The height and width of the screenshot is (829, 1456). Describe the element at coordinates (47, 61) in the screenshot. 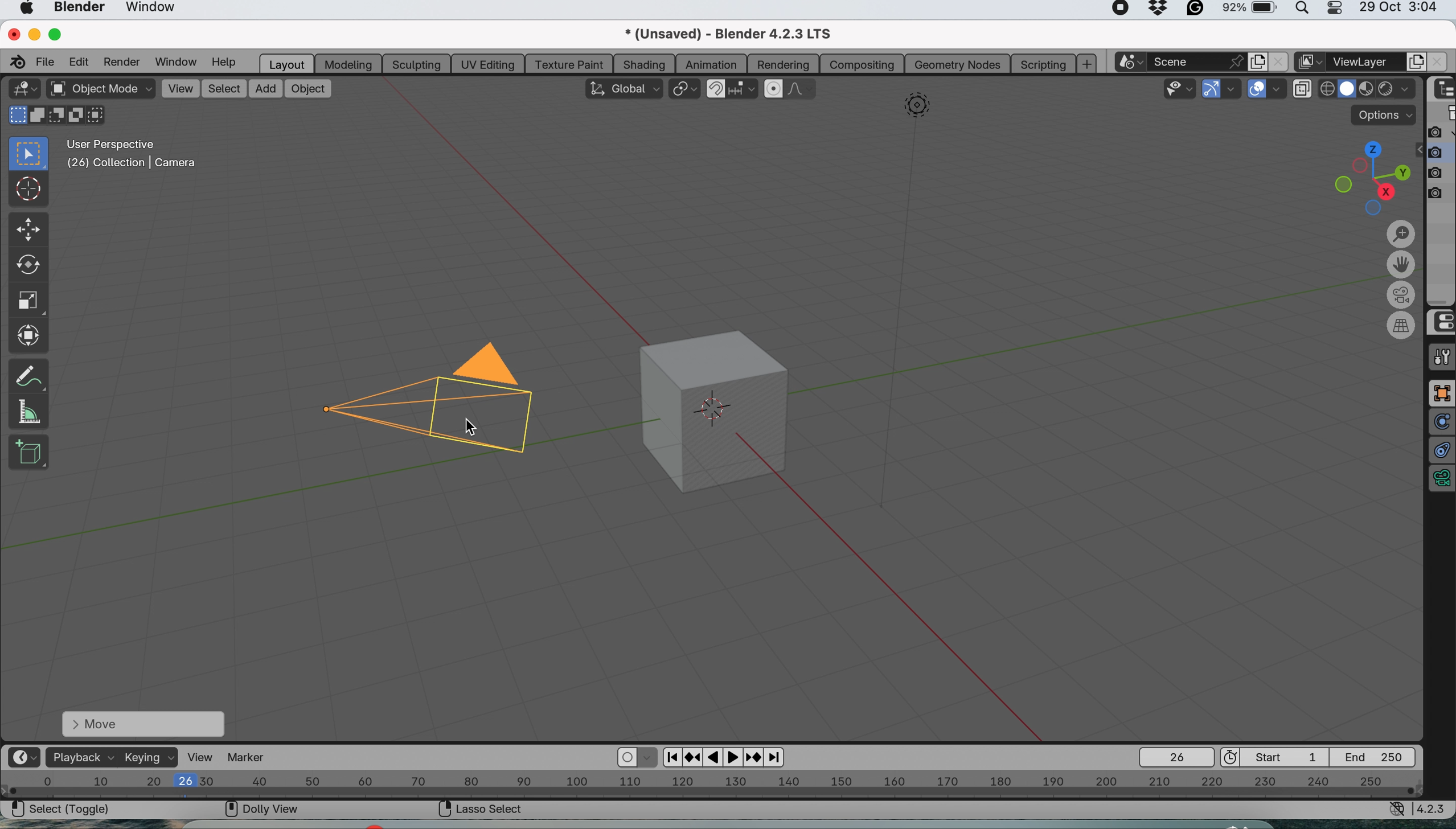

I see `file` at that location.